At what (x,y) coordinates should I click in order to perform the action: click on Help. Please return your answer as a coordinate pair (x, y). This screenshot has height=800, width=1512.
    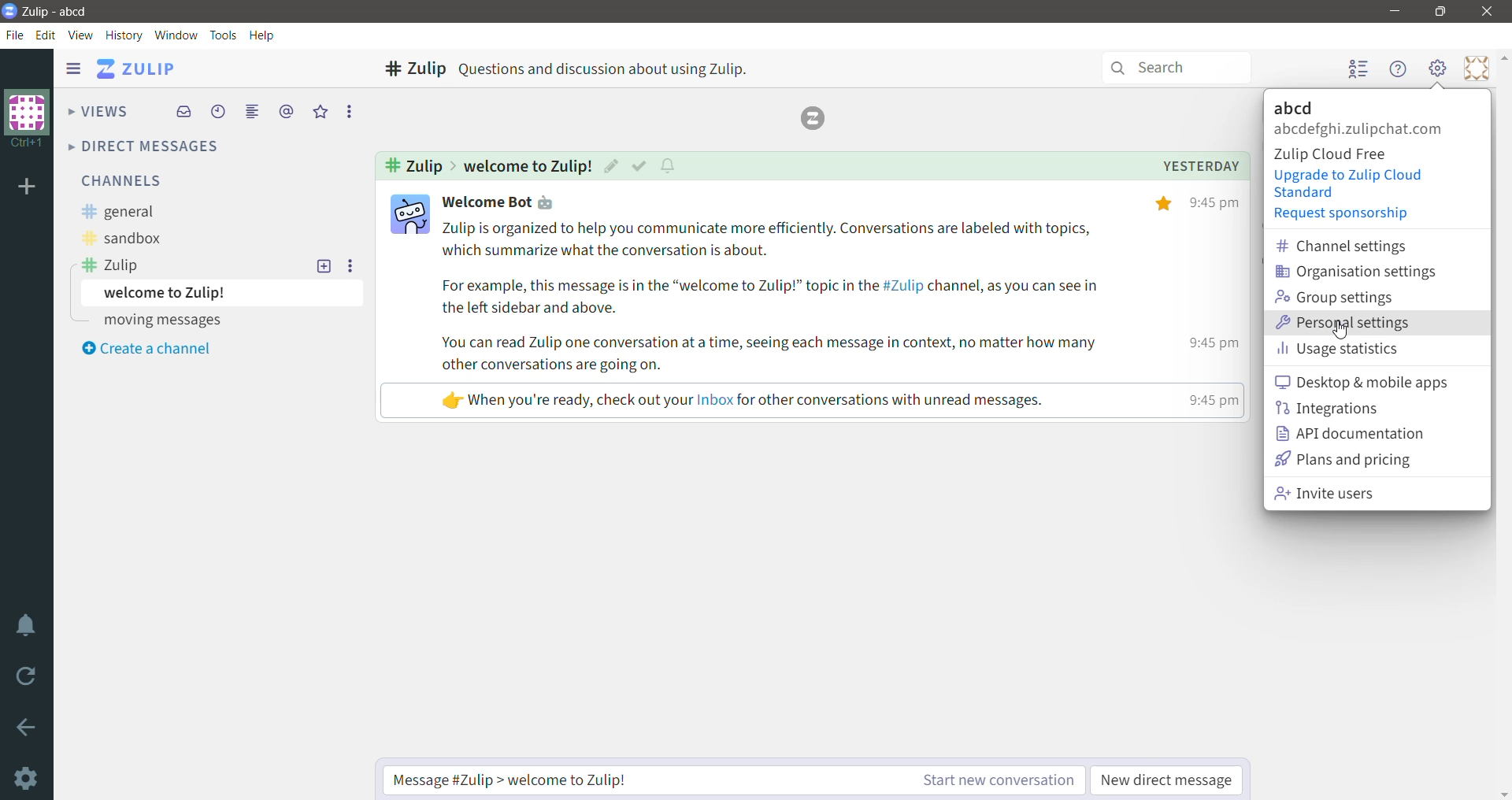
    Looking at the image, I should click on (263, 36).